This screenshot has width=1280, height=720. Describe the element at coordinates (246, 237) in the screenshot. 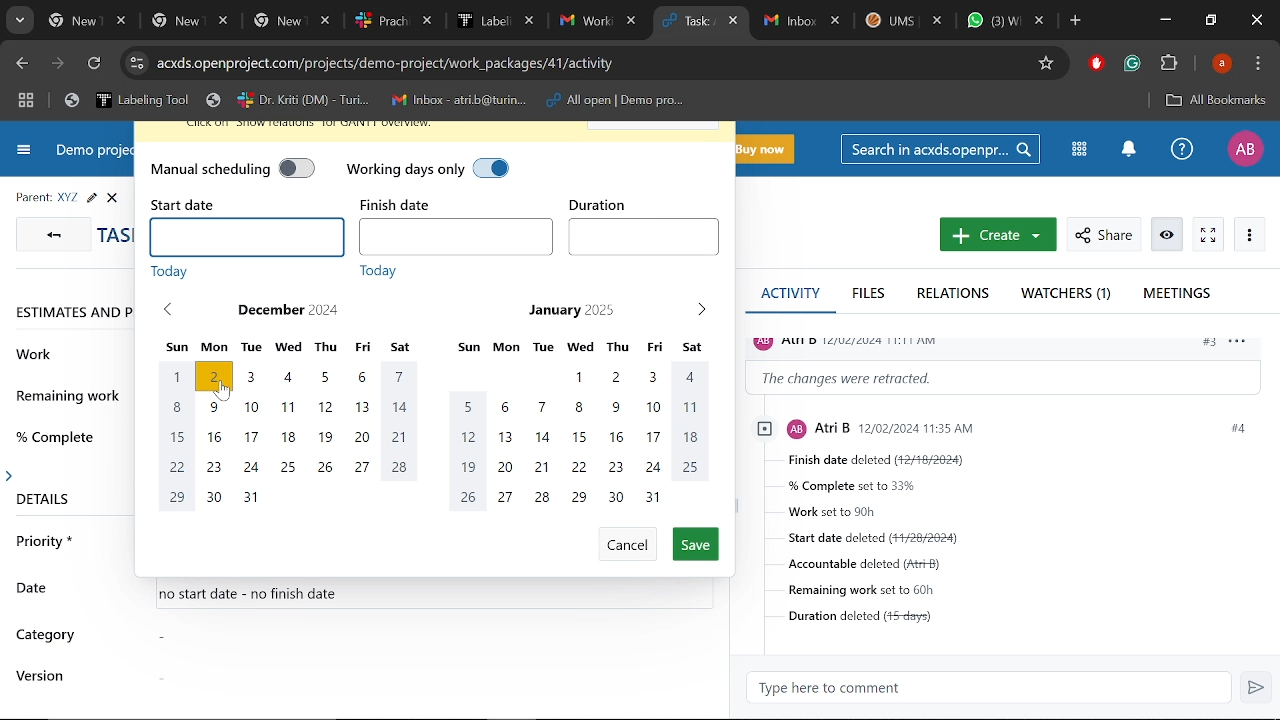

I see `Start date` at that location.